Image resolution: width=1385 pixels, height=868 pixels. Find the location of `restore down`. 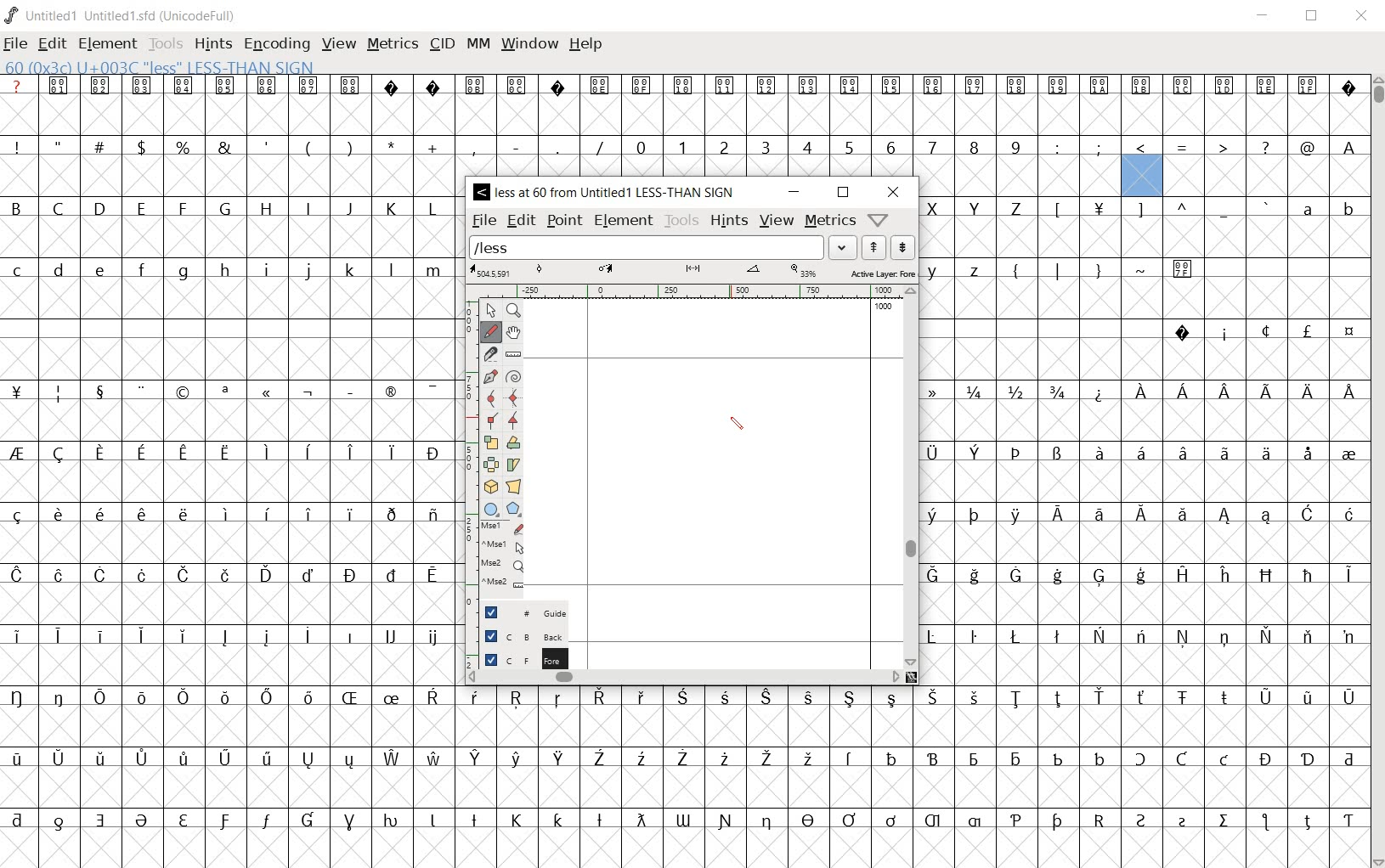

restore down is located at coordinates (843, 194).